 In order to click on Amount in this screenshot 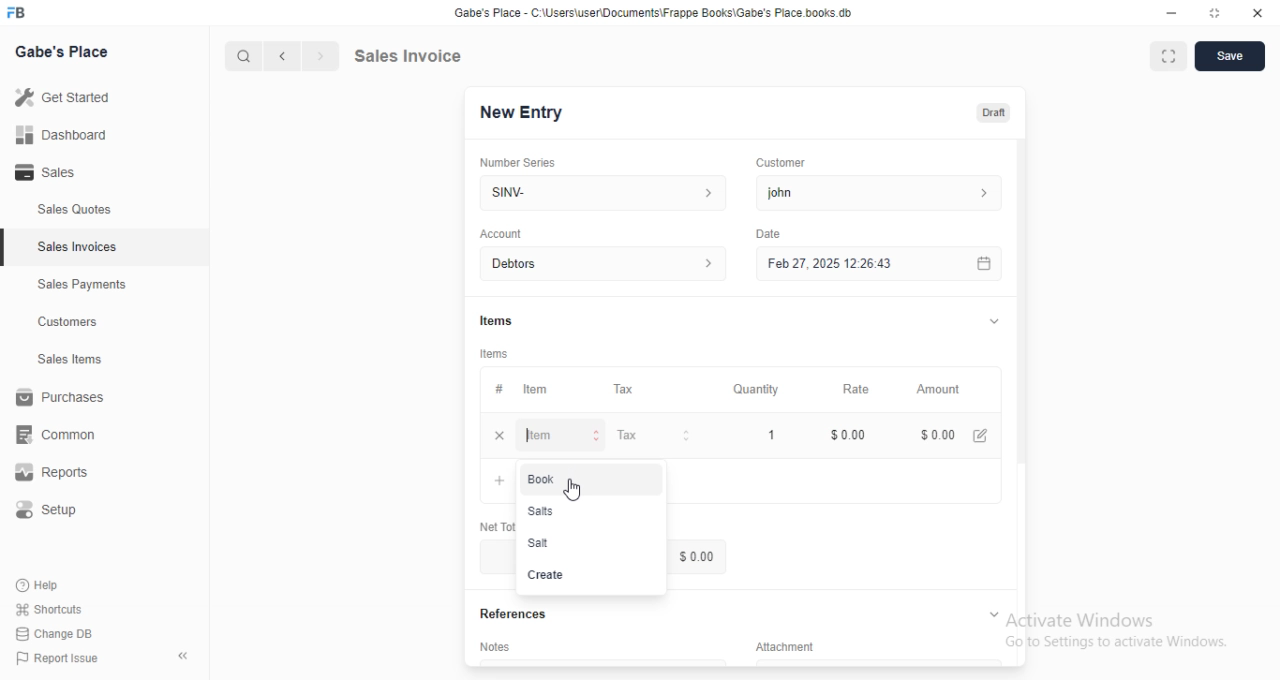, I will do `click(943, 390)`.